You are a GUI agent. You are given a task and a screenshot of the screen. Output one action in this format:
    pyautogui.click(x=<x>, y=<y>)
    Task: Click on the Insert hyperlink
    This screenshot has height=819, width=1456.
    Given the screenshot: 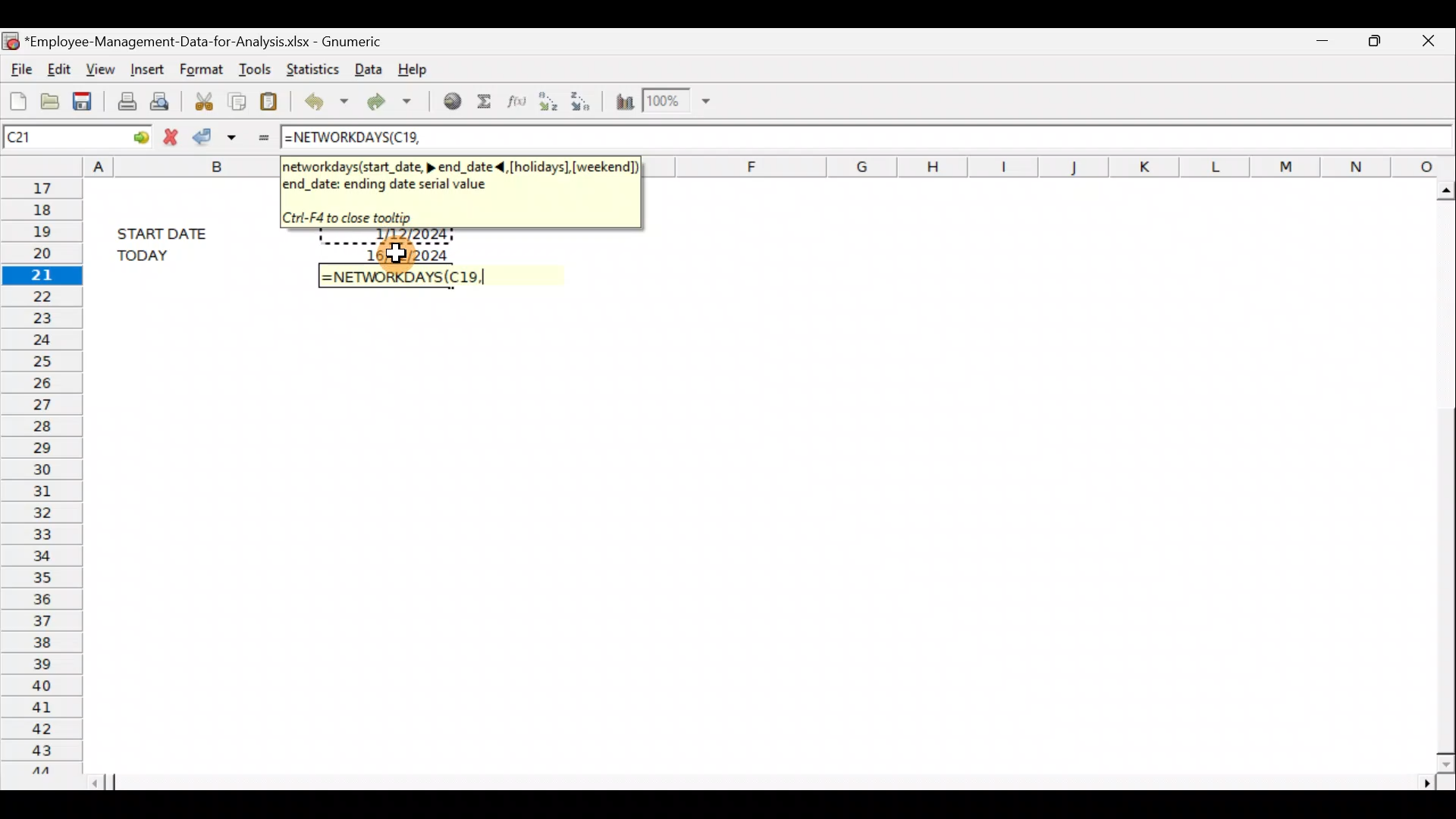 What is the action you would take?
    pyautogui.click(x=447, y=102)
    